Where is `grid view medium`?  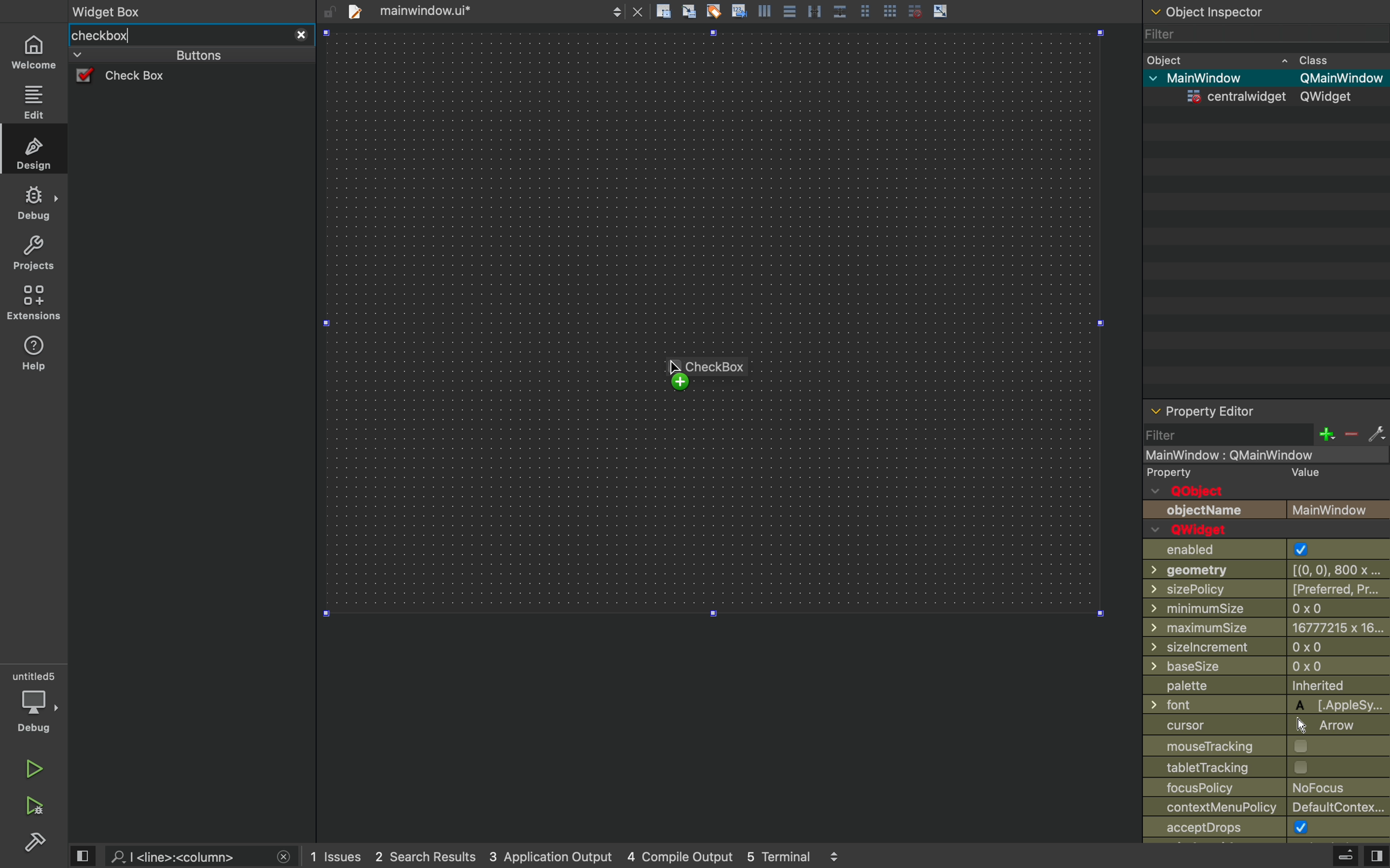
grid view medium is located at coordinates (864, 10).